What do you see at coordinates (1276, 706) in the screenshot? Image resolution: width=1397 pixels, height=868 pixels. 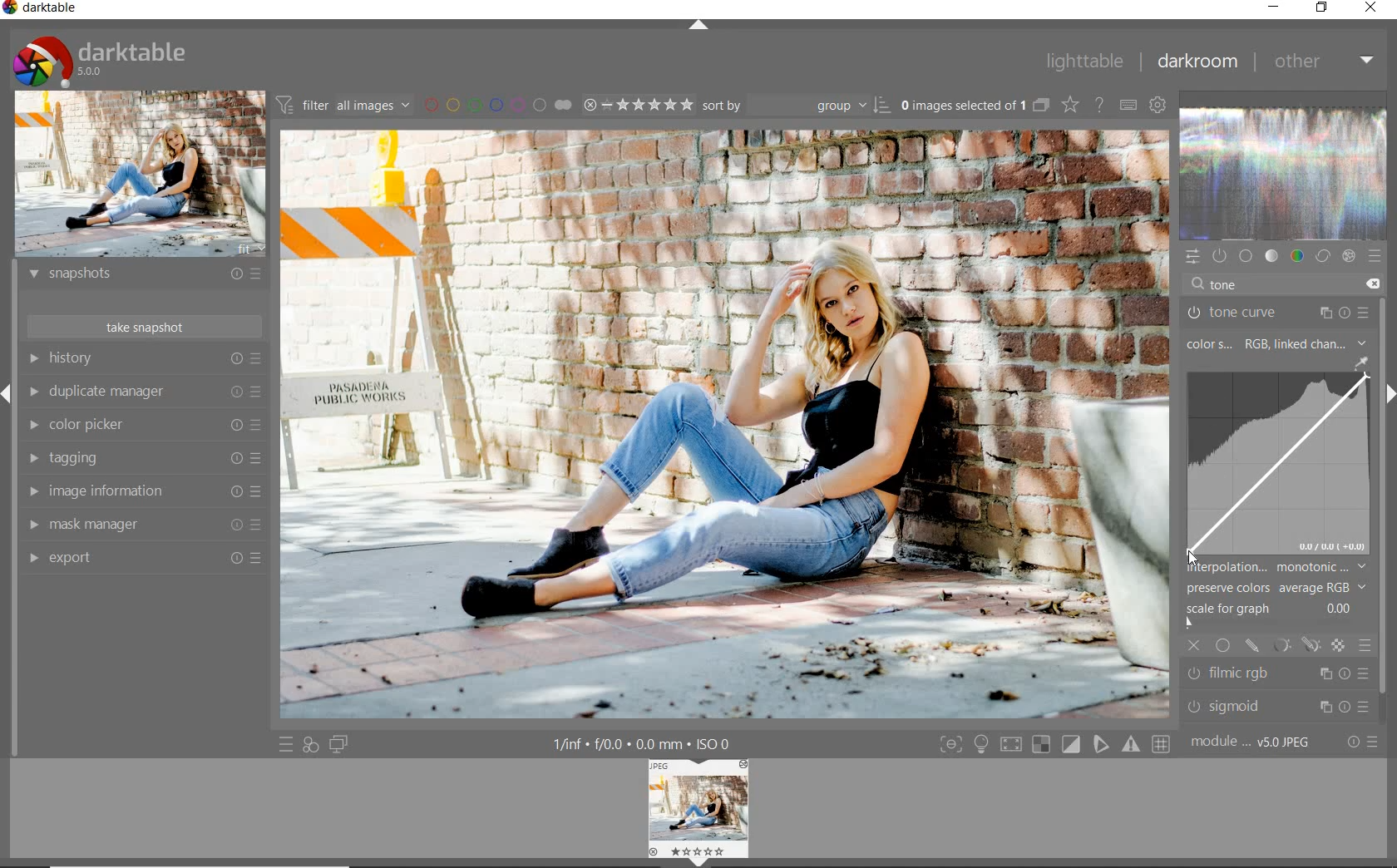 I see `sigmoid` at bounding box center [1276, 706].